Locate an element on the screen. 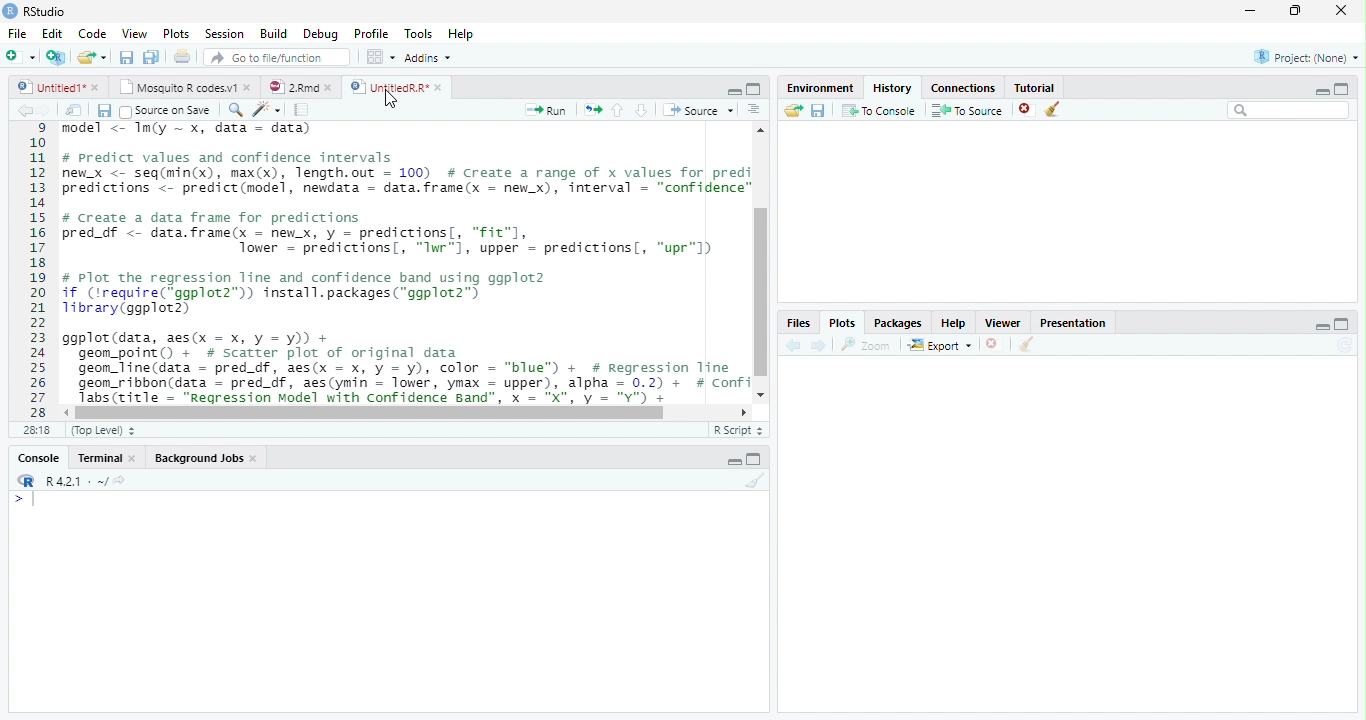 This screenshot has height=720, width=1366. > is located at coordinates (15, 500).